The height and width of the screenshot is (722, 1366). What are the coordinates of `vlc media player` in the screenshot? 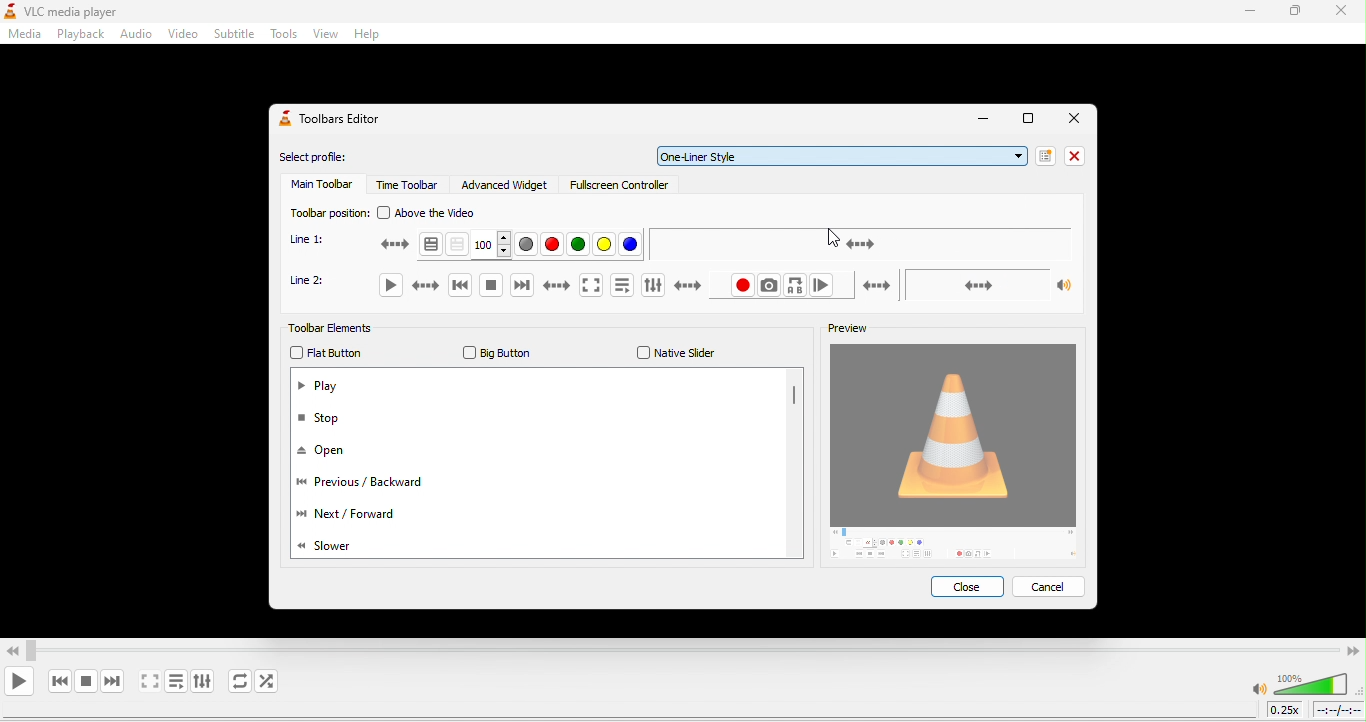 It's located at (96, 10).